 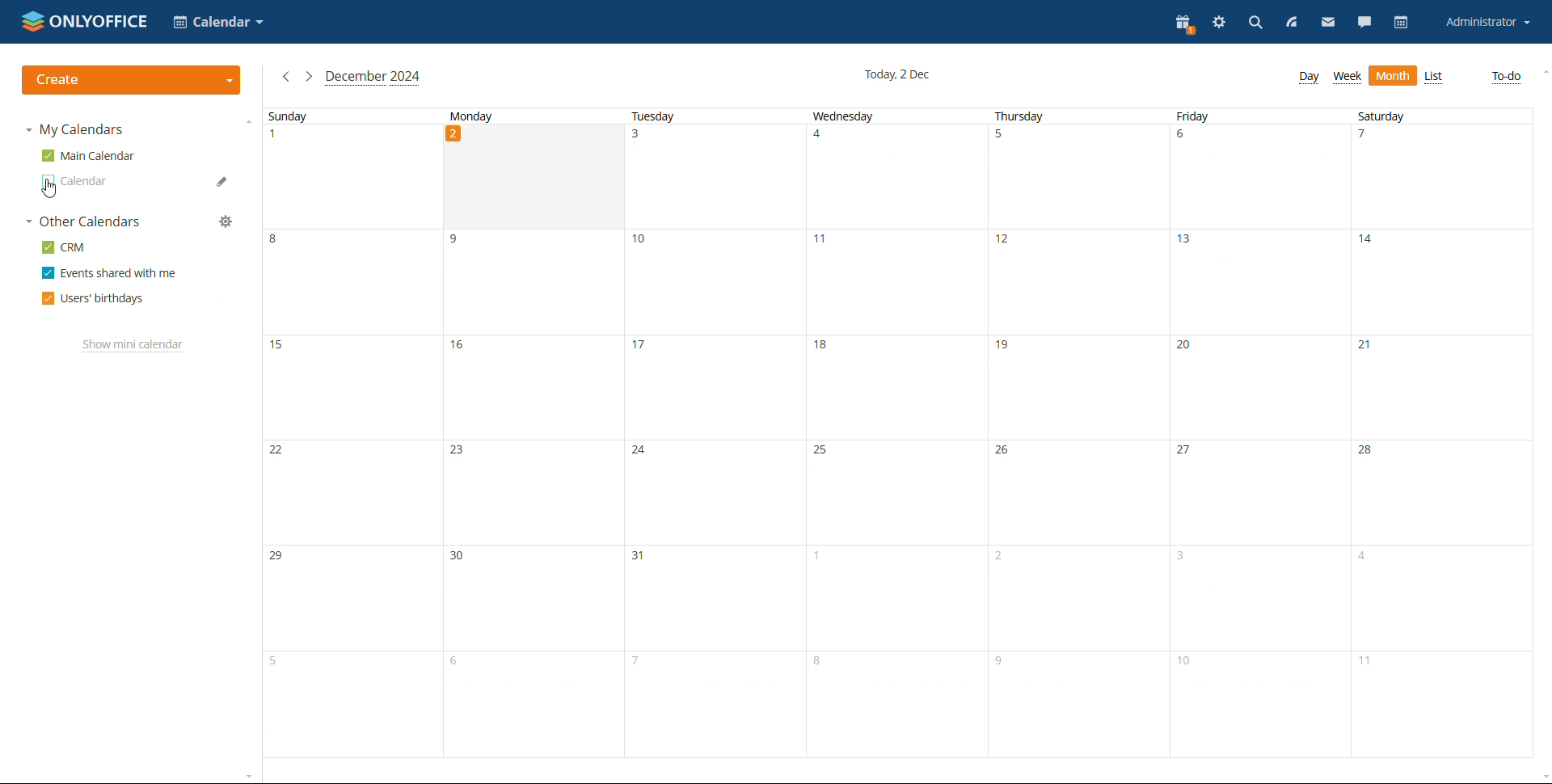 I want to click on next month, so click(x=308, y=76).